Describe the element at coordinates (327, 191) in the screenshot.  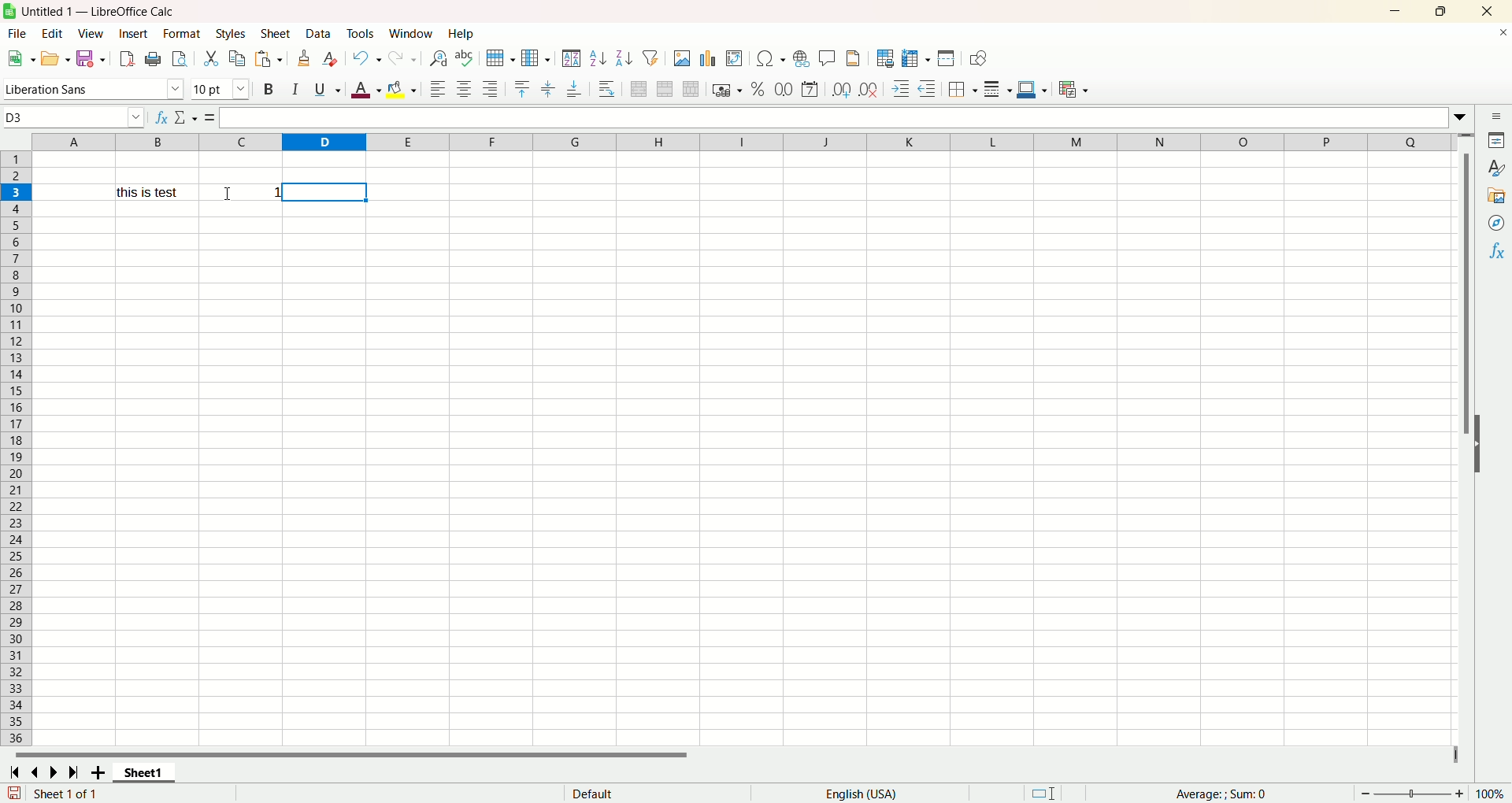
I see `active cell` at that location.